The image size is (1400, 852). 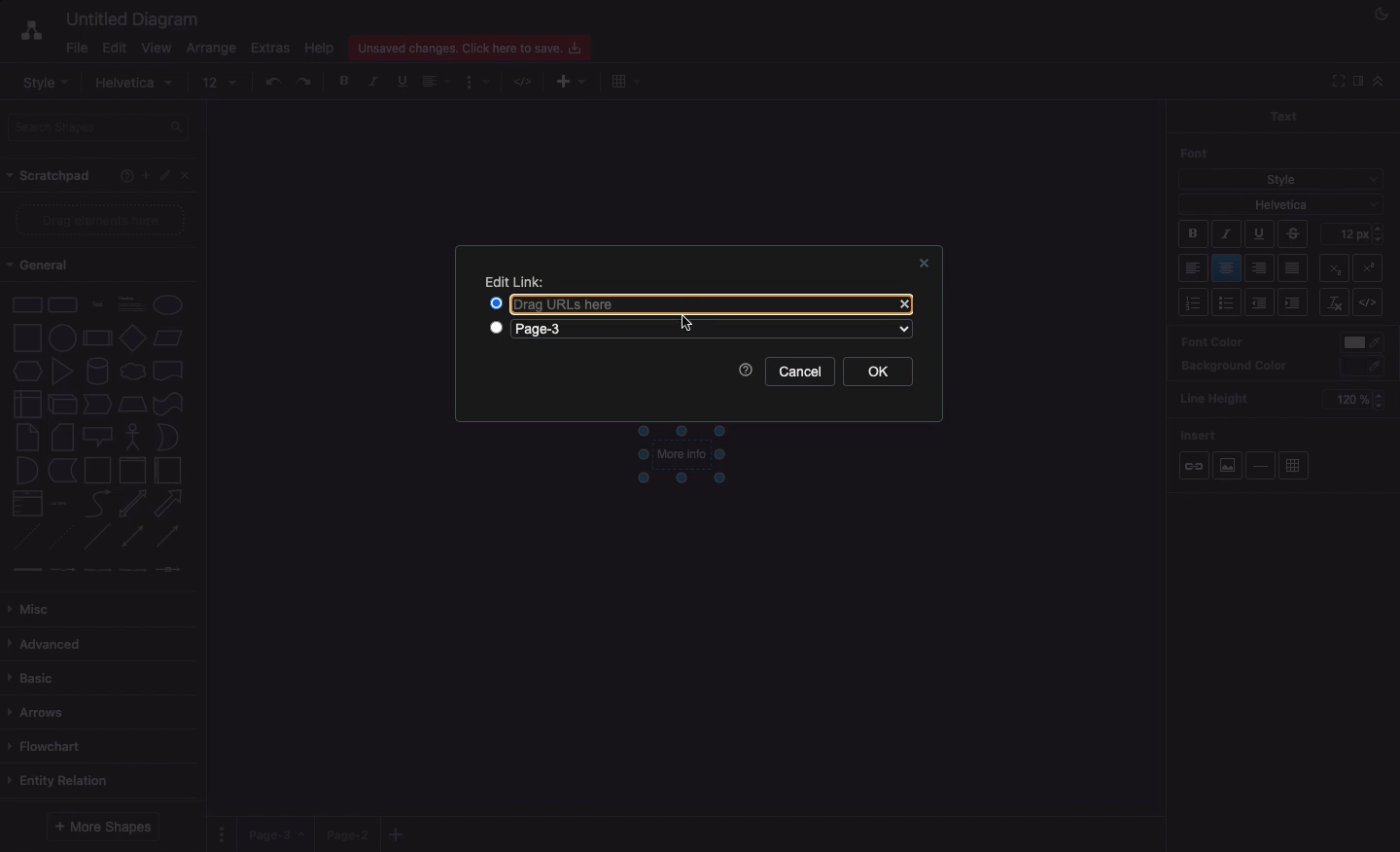 What do you see at coordinates (171, 569) in the screenshot?
I see `connector with symbol` at bounding box center [171, 569].